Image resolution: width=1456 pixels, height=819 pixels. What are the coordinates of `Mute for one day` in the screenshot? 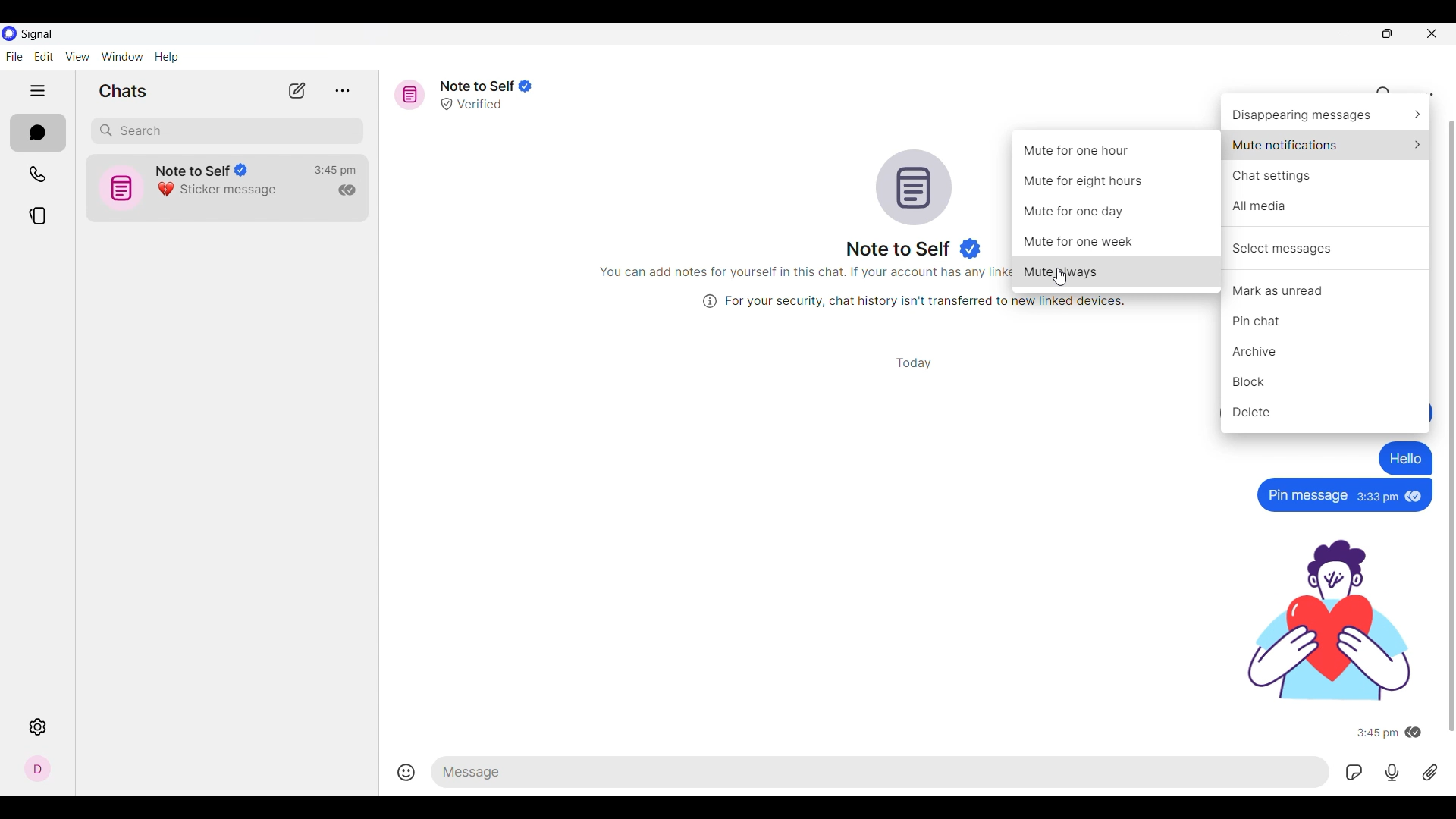 It's located at (1081, 211).